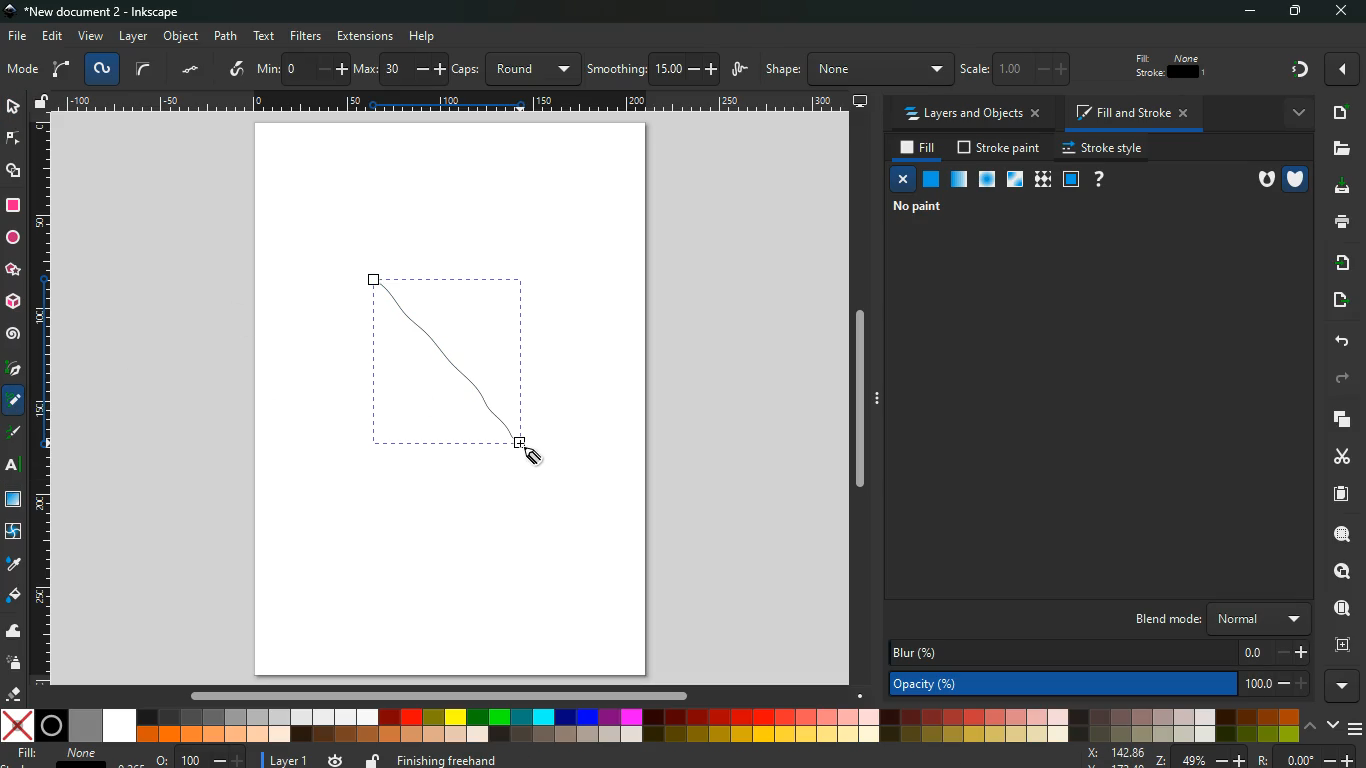  What do you see at coordinates (226, 35) in the screenshot?
I see `path` at bounding box center [226, 35].